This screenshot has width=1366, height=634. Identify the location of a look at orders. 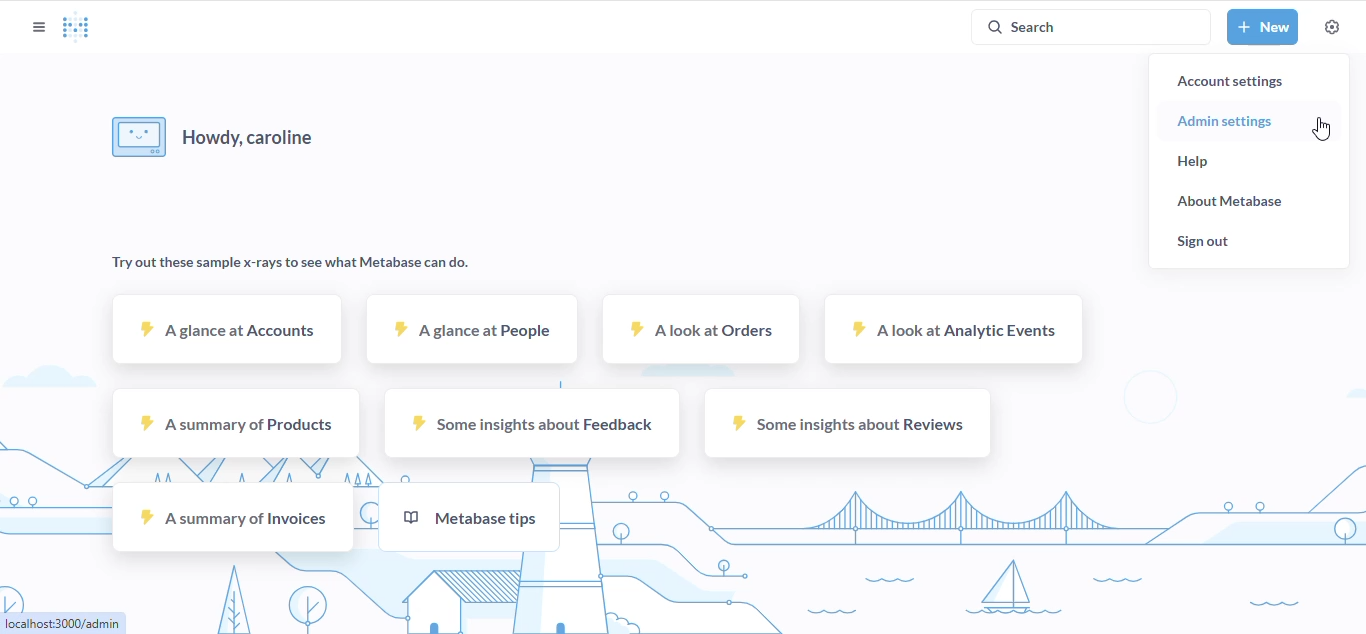
(701, 330).